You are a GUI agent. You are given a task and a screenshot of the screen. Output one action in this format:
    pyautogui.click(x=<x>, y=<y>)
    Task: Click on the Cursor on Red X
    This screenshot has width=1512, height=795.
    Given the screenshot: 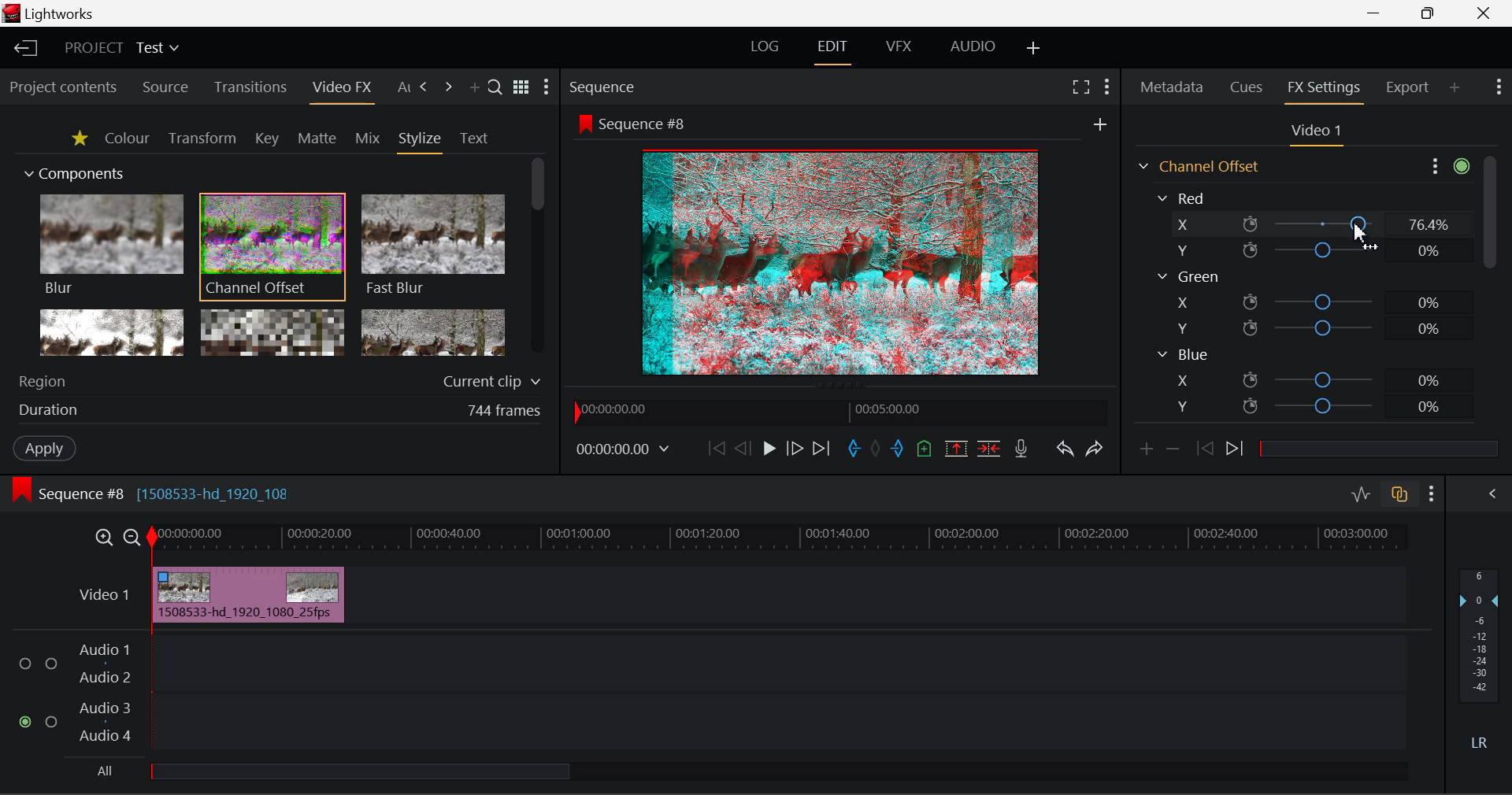 What is the action you would take?
    pyautogui.click(x=1309, y=224)
    